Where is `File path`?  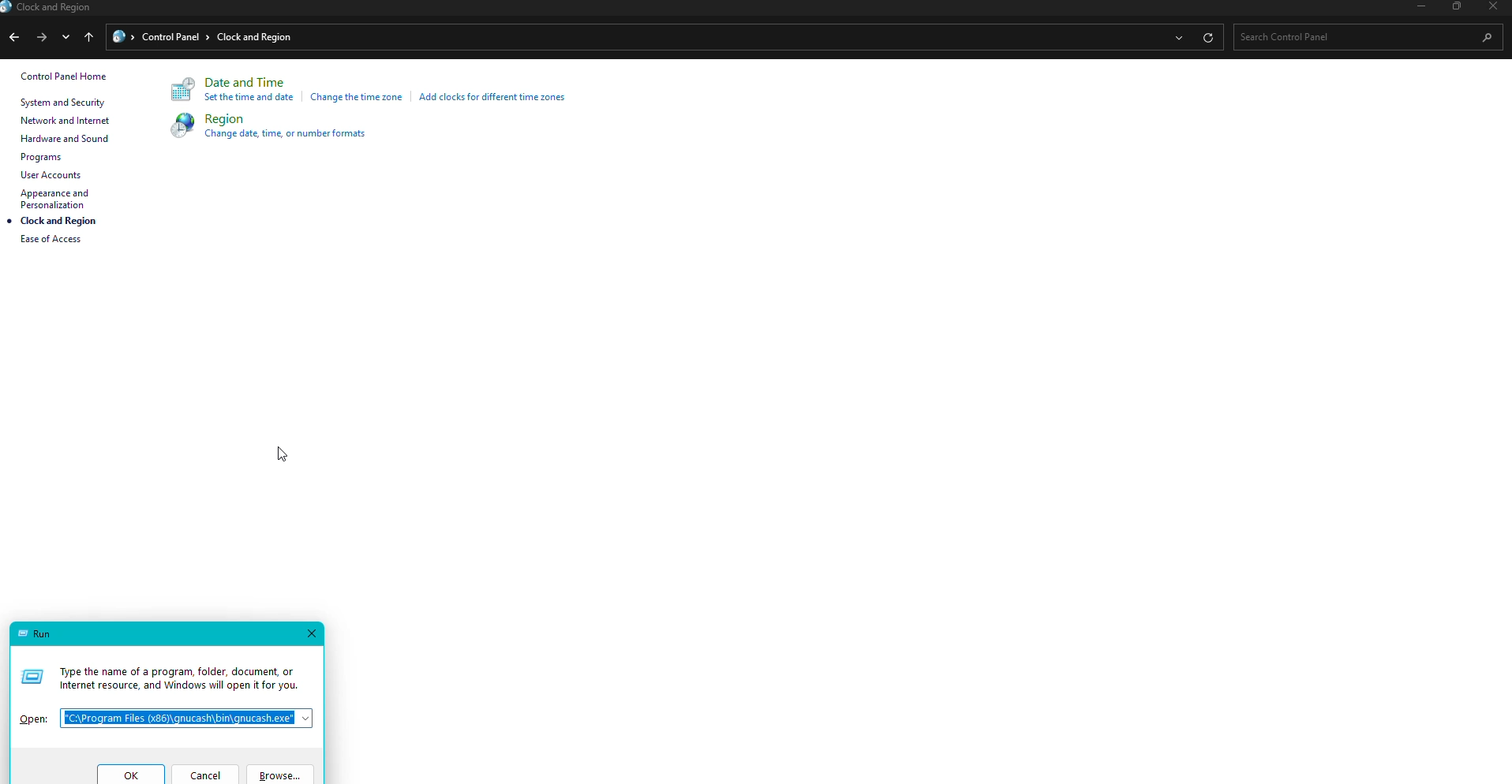 File path is located at coordinates (189, 716).